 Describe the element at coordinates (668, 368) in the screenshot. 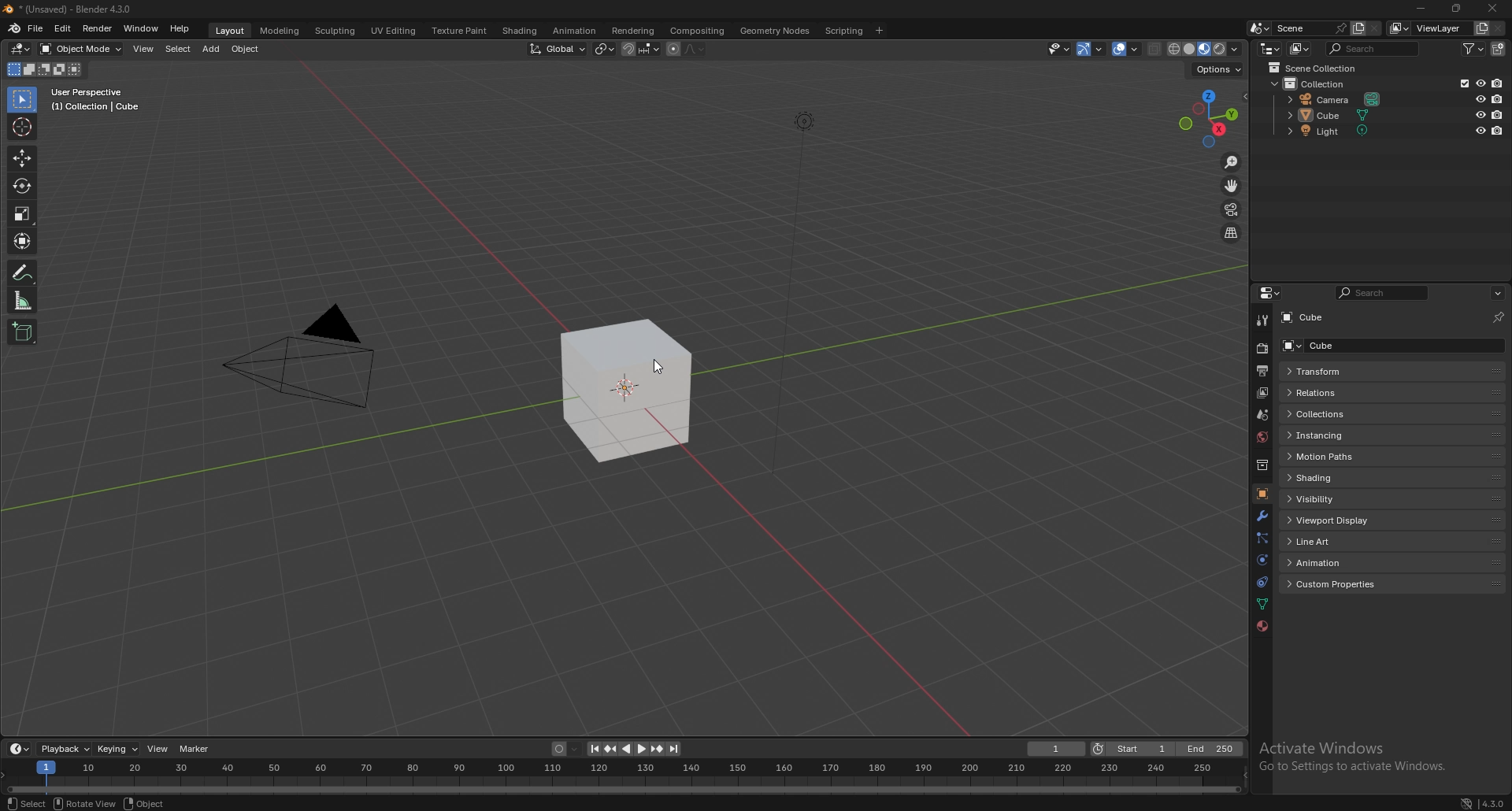

I see `cursor` at that location.